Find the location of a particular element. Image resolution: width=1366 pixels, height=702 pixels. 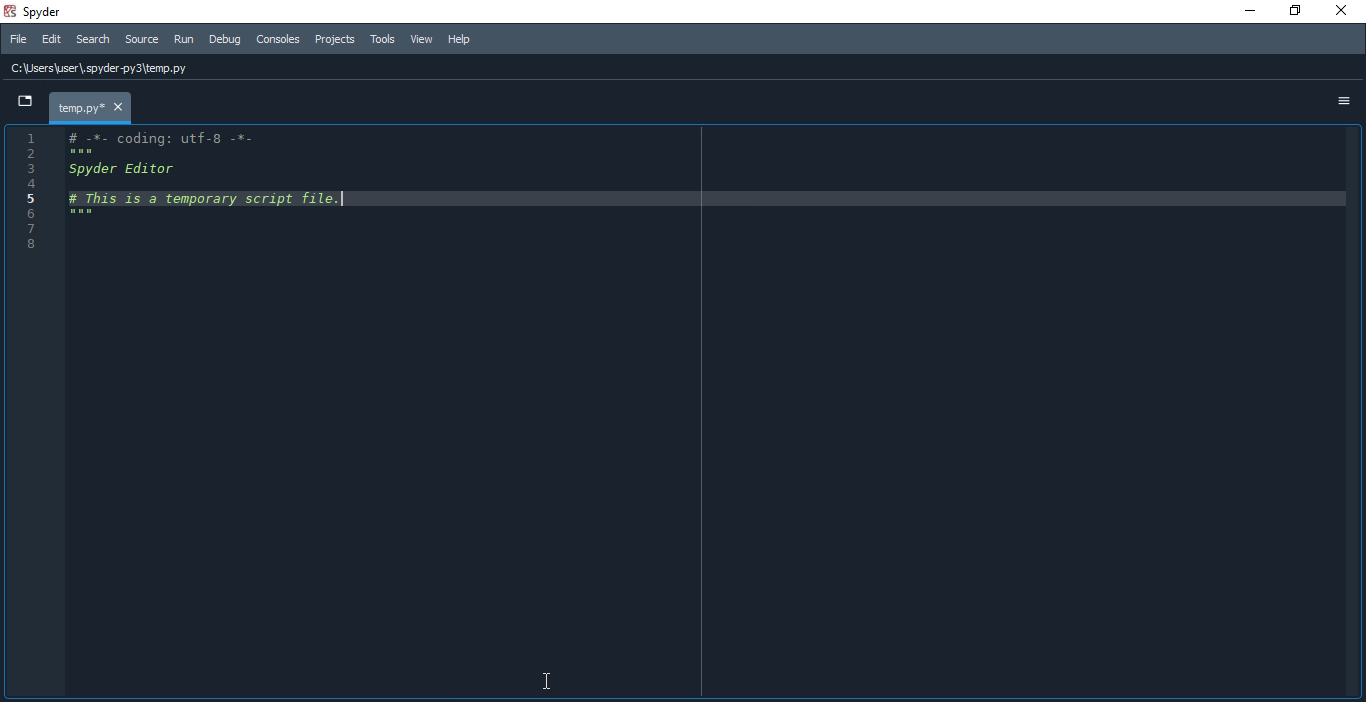

close is located at coordinates (1338, 11).